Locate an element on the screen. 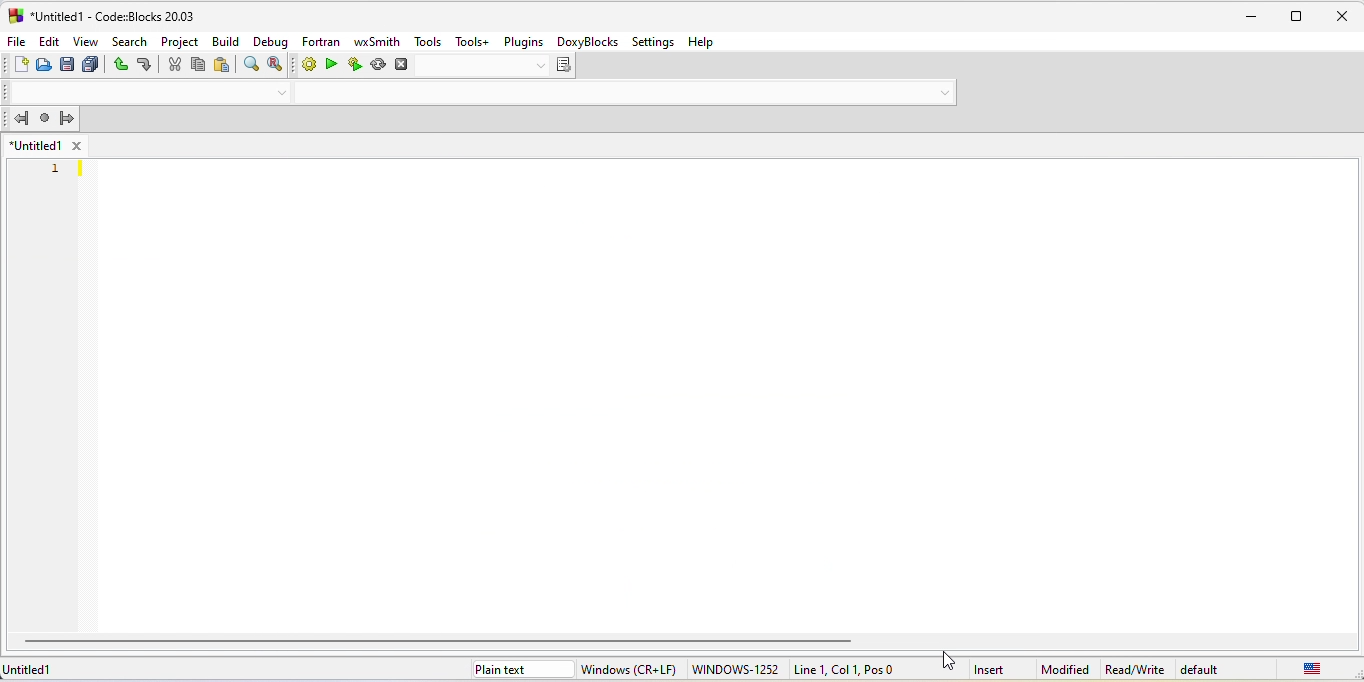  build is located at coordinates (226, 42).